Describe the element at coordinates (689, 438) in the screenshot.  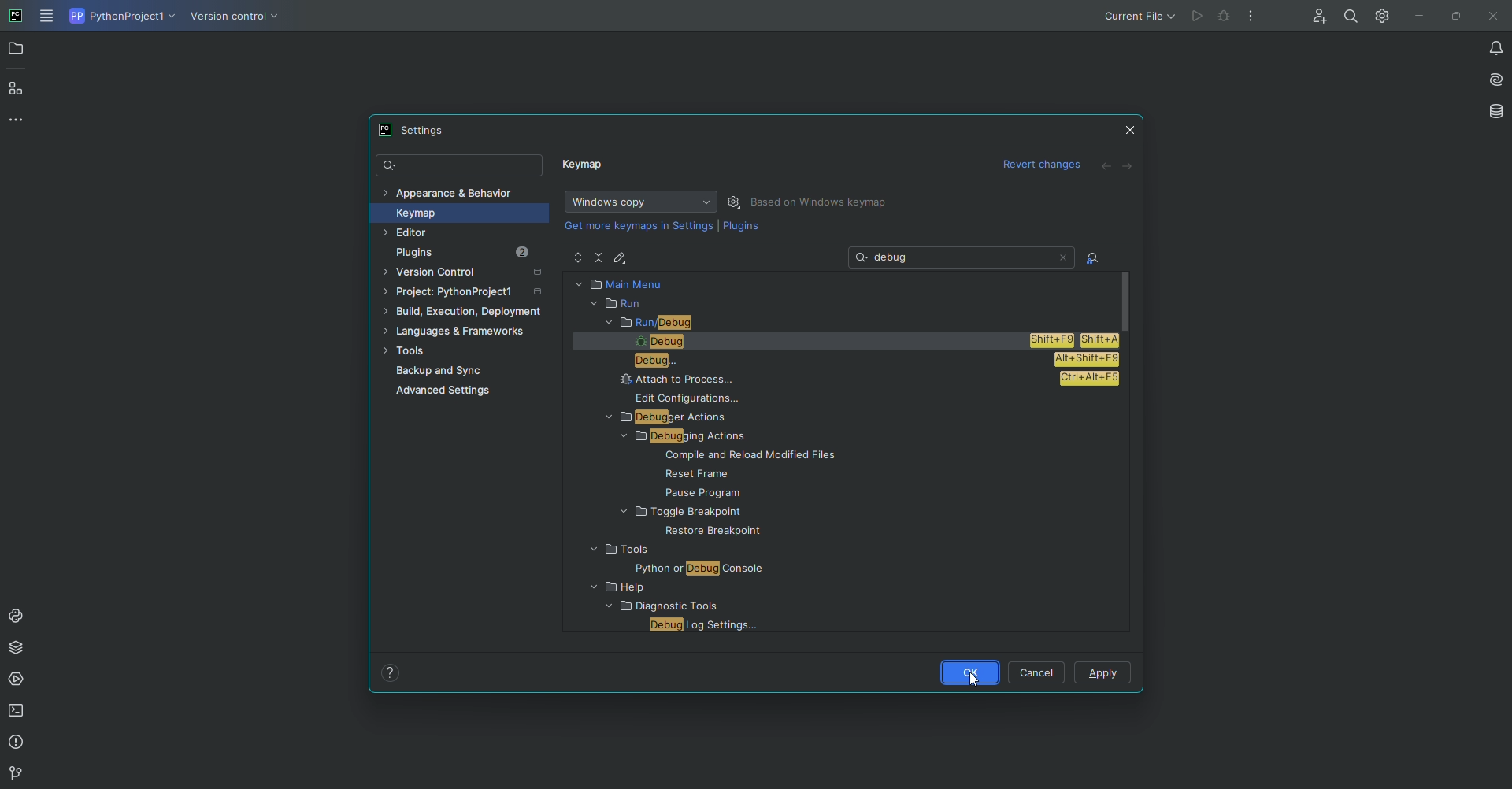
I see `DEBUGGING ACTIONS` at that location.